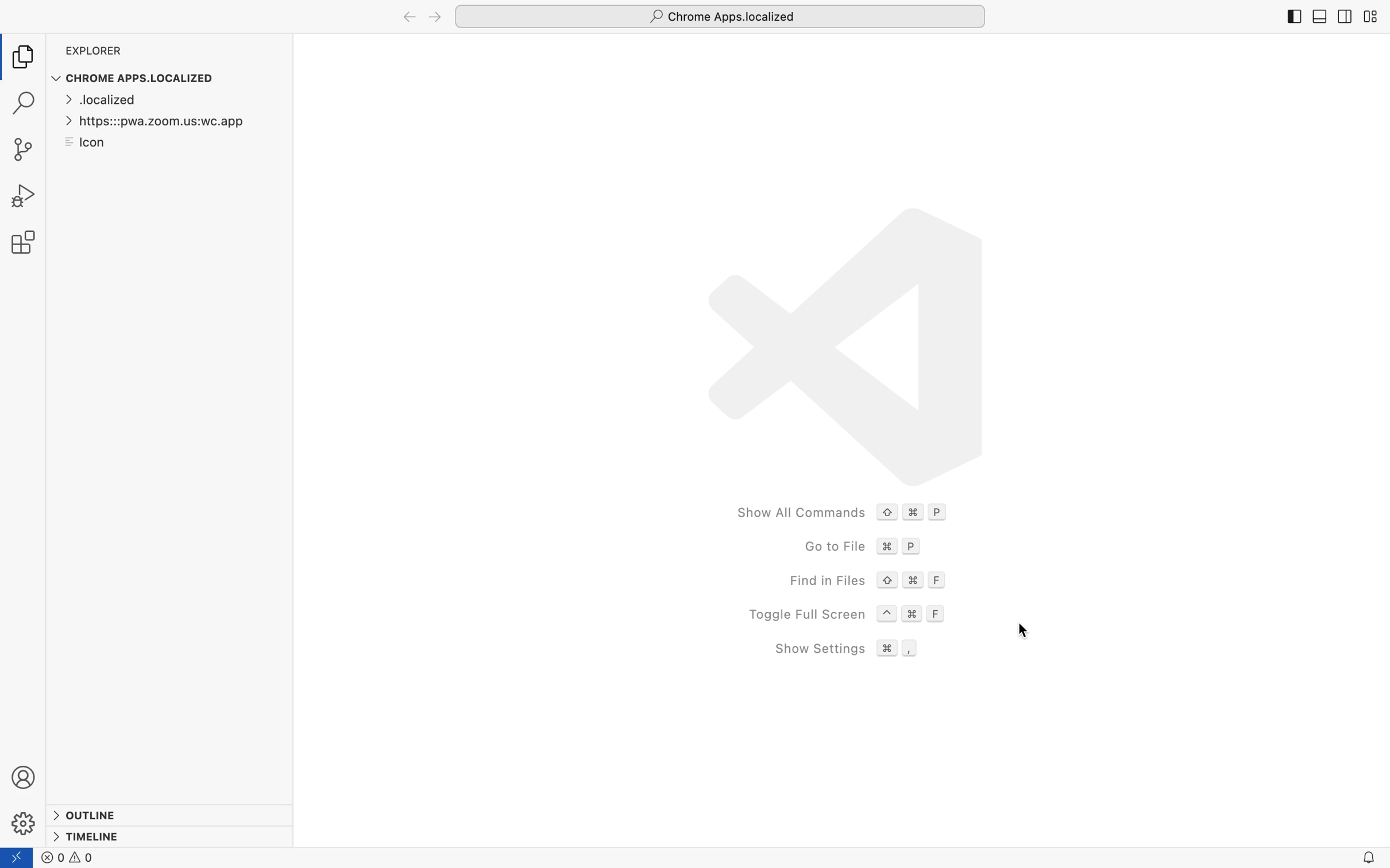 The width and height of the screenshot is (1390, 868). What do you see at coordinates (26, 149) in the screenshot?
I see `source control` at bounding box center [26, 149].